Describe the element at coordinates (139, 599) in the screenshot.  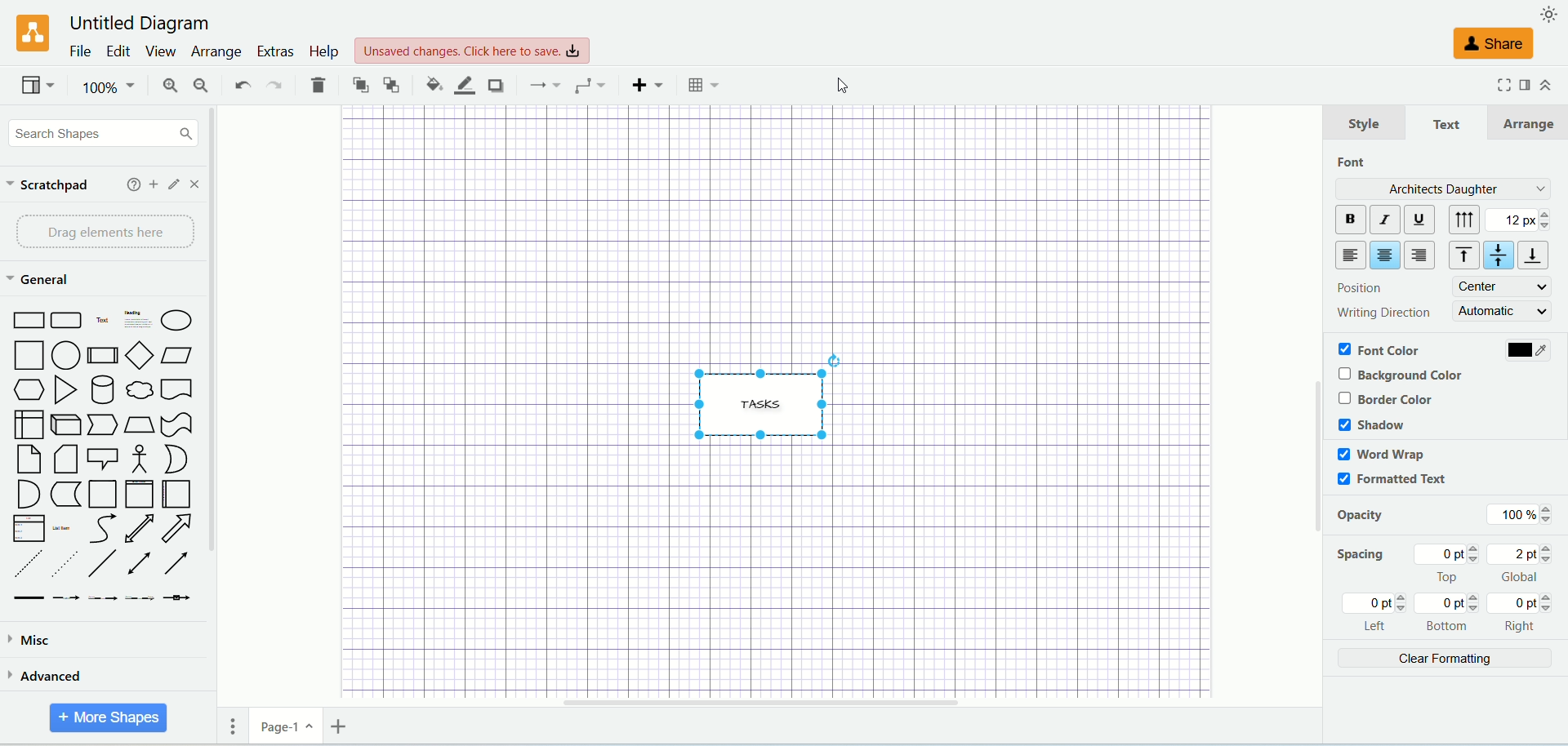
I see `Connector with 3 label` at that location.